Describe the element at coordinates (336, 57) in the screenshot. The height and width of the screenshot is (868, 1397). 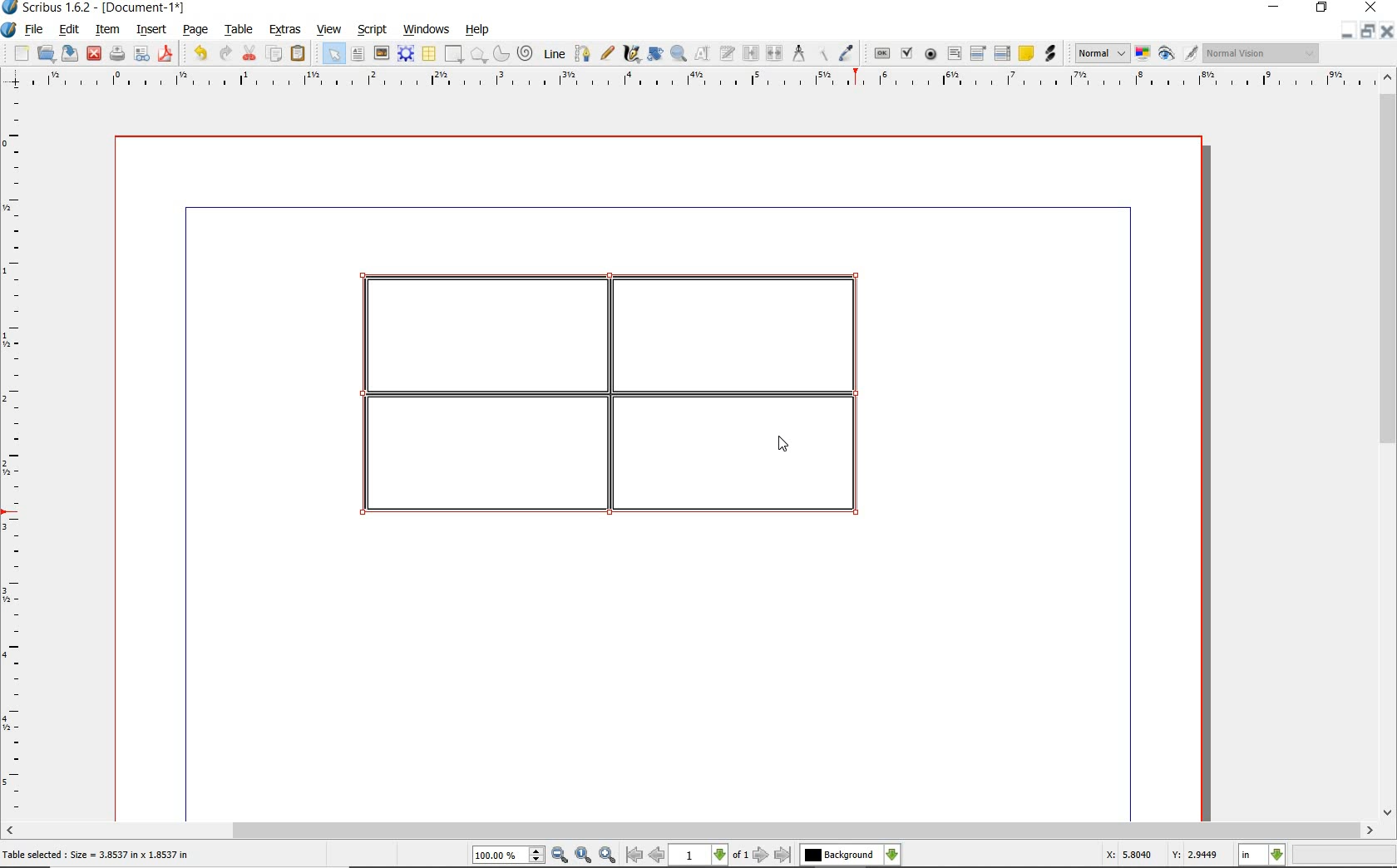
I see `select` at that location.